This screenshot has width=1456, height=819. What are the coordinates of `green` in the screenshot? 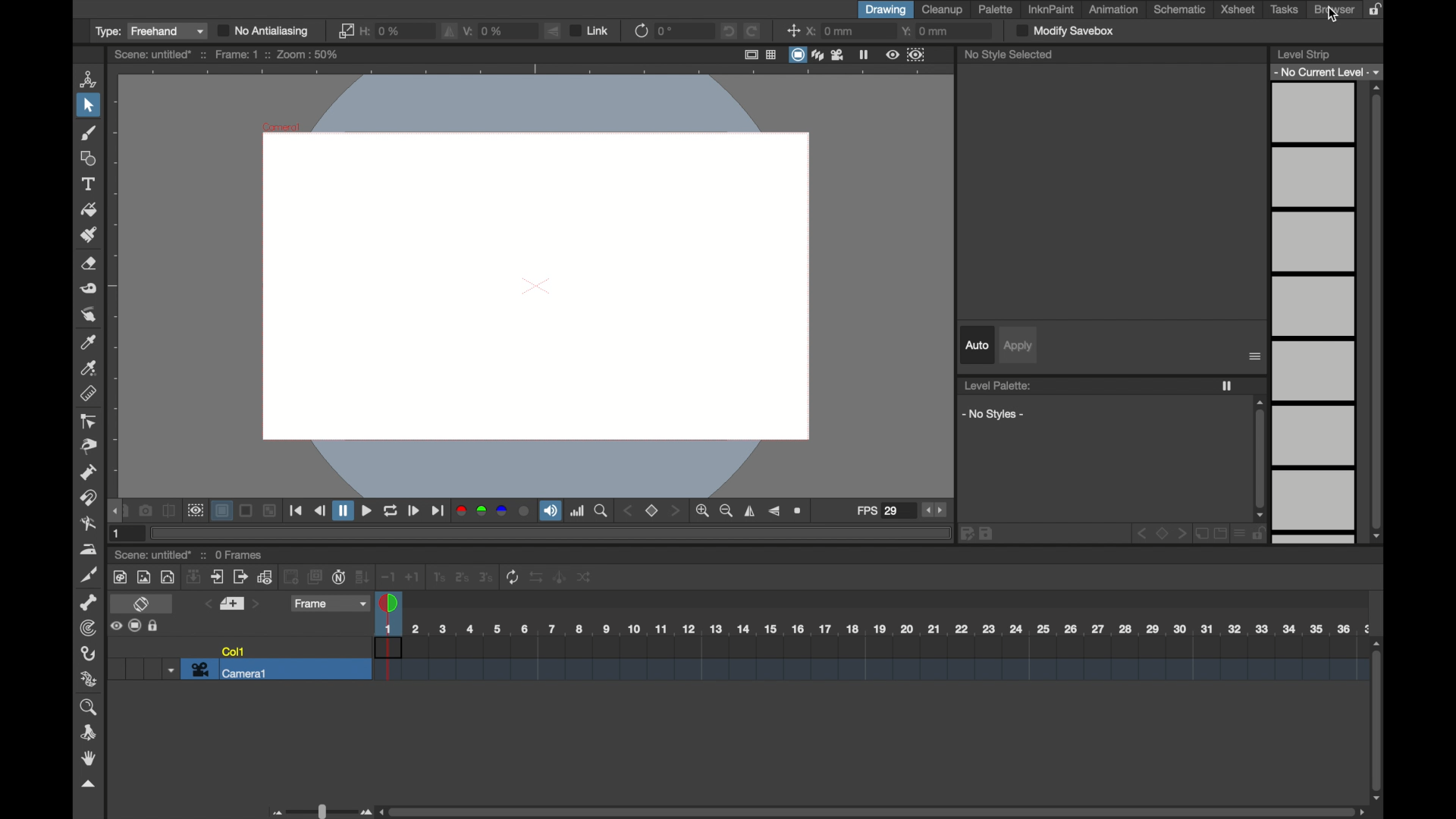 It's located at (480, 510).